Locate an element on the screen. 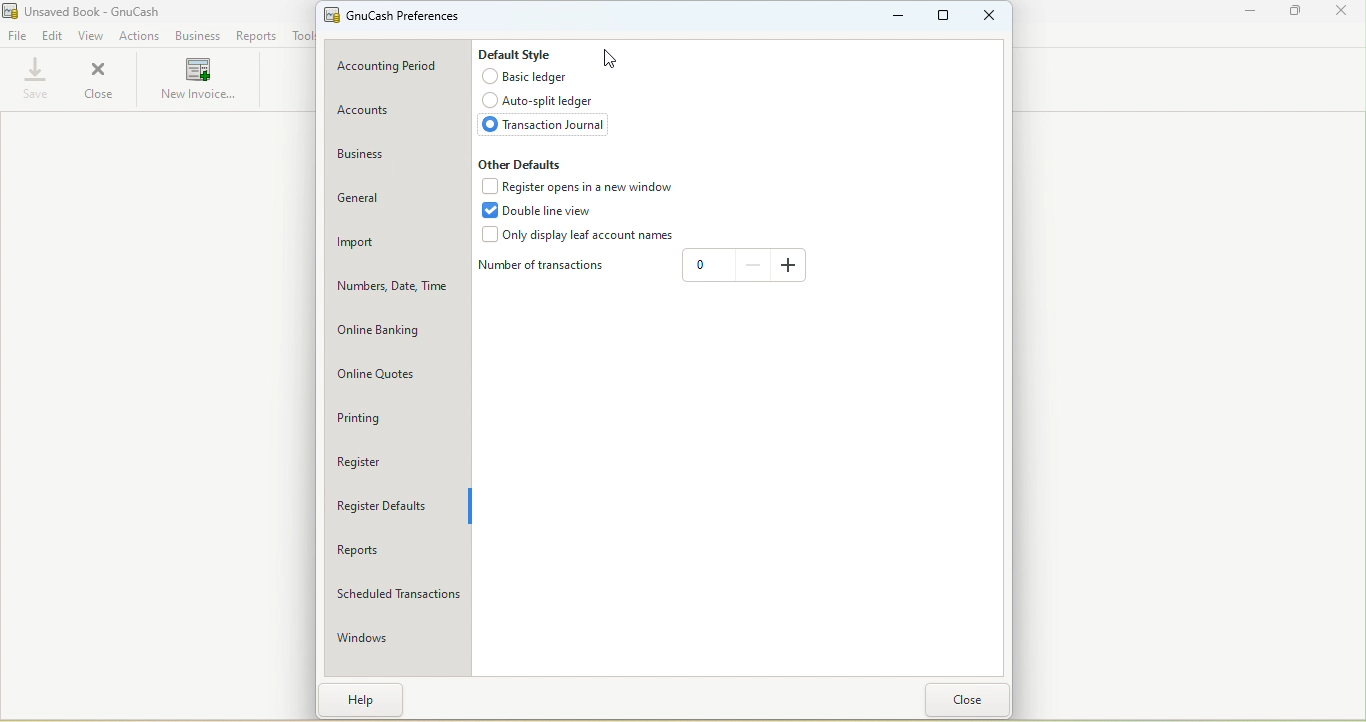 The image size is (1366, 722). Close is located at coordinates (1342, 12).